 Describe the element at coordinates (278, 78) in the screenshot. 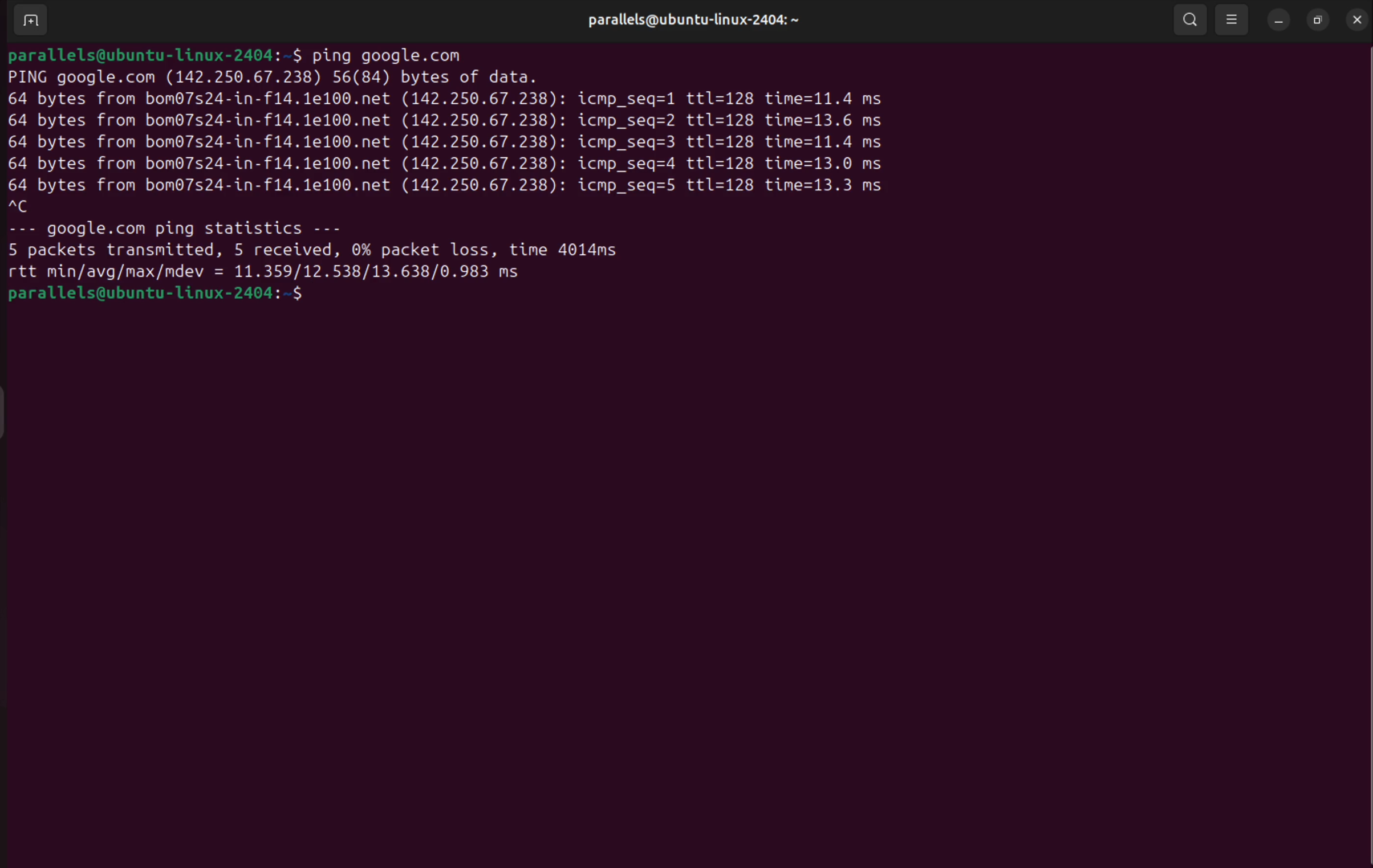

I see `ping google .com port address ` at that location.